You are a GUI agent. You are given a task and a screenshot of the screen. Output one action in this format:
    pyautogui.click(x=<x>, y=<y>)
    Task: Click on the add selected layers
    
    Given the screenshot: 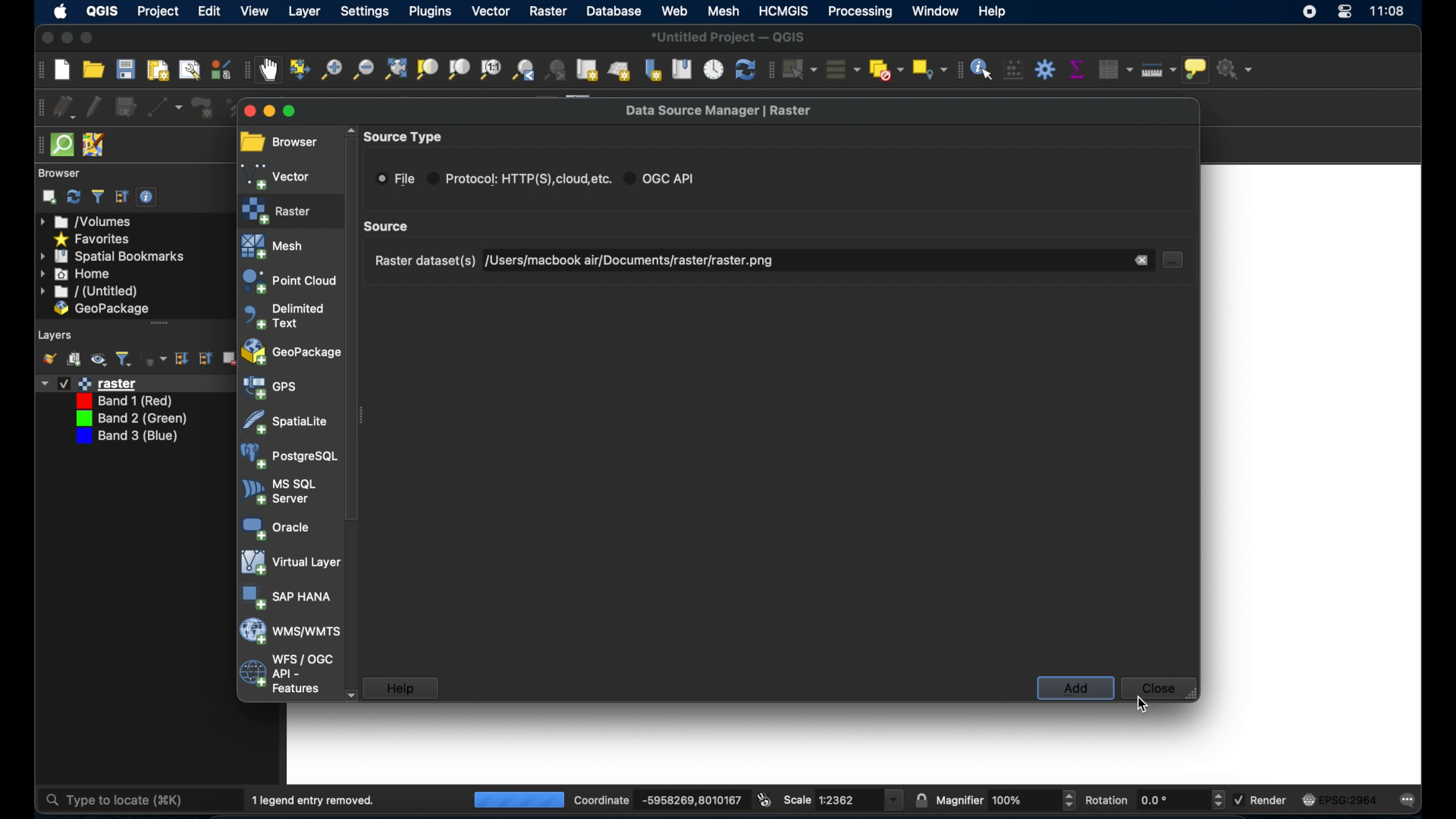 What is the action you would take?
    pyautogui.click(x=49, y=197)
    